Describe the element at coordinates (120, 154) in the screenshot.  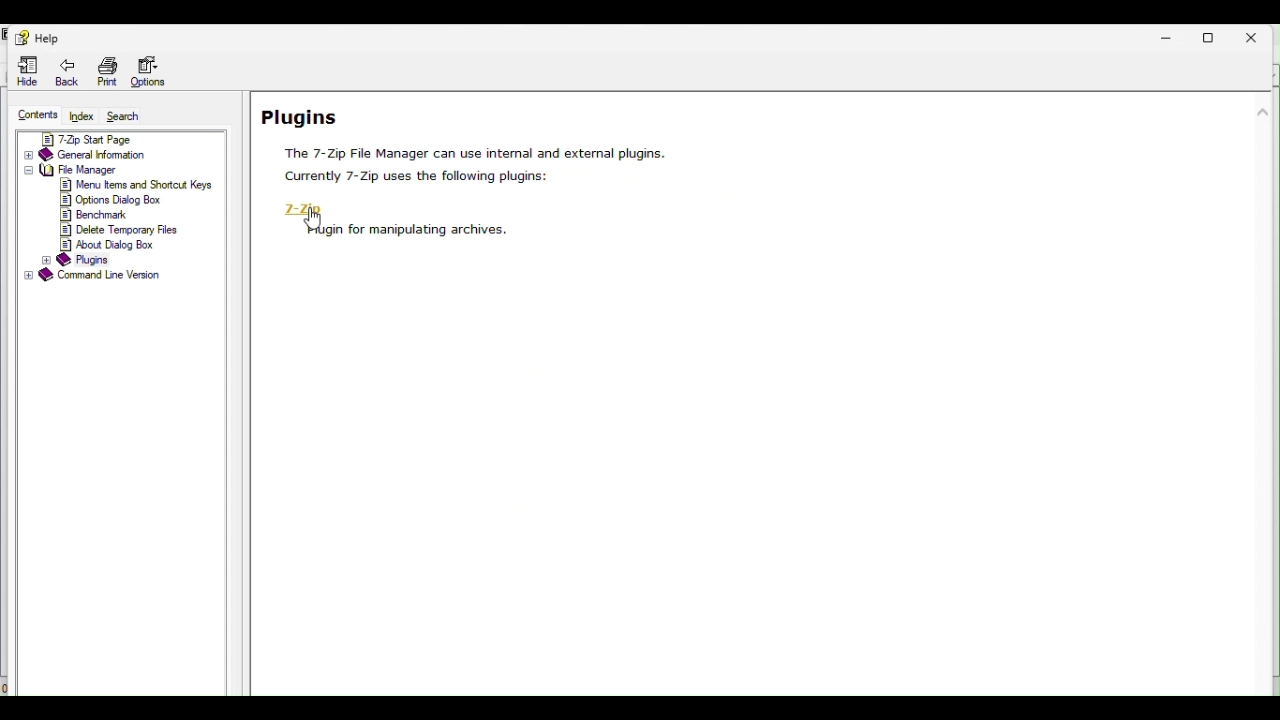
I see `General information` at that location.